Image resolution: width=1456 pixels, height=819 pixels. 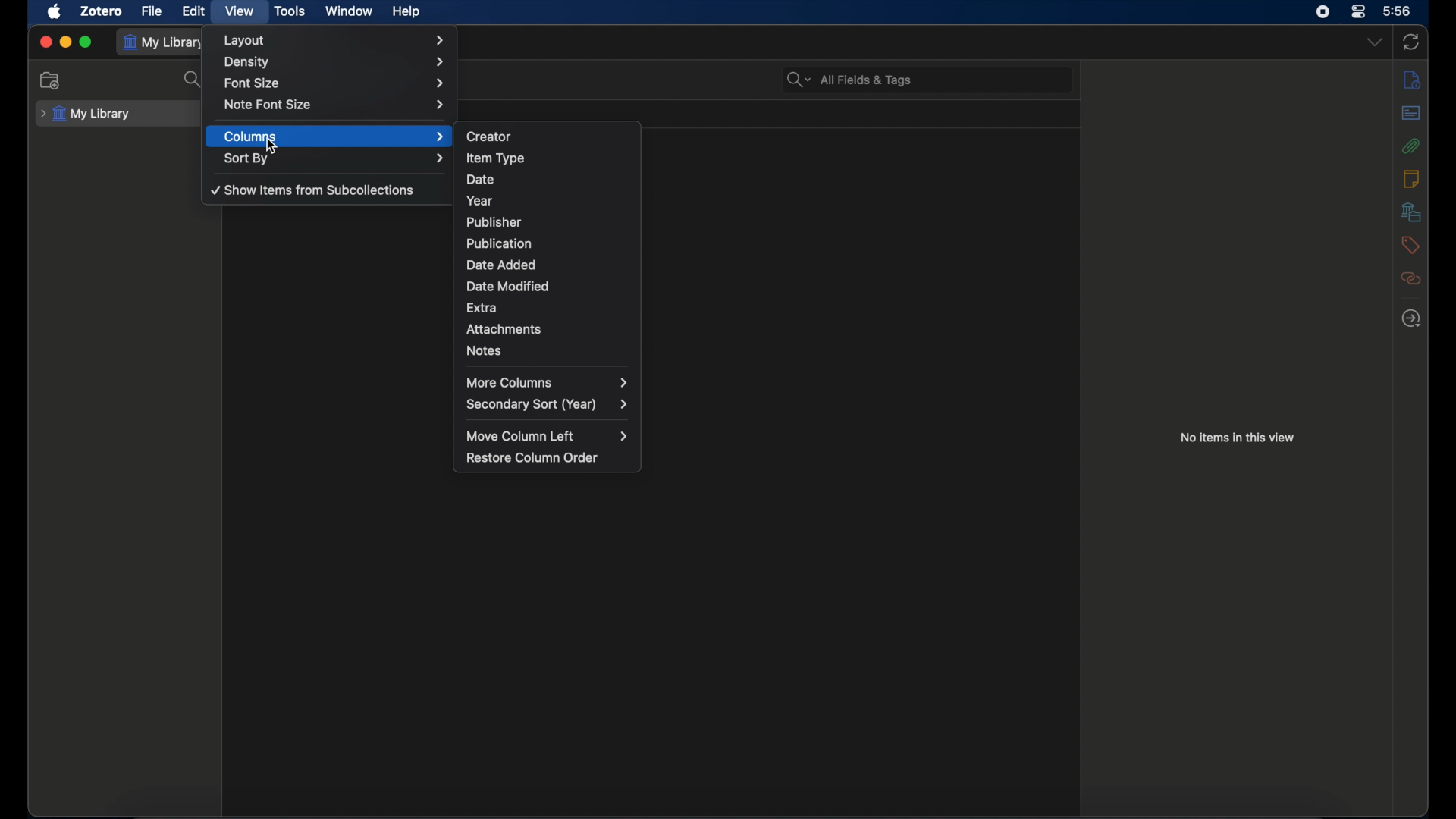 I want to click on date modified, so click(x=549, y=284).